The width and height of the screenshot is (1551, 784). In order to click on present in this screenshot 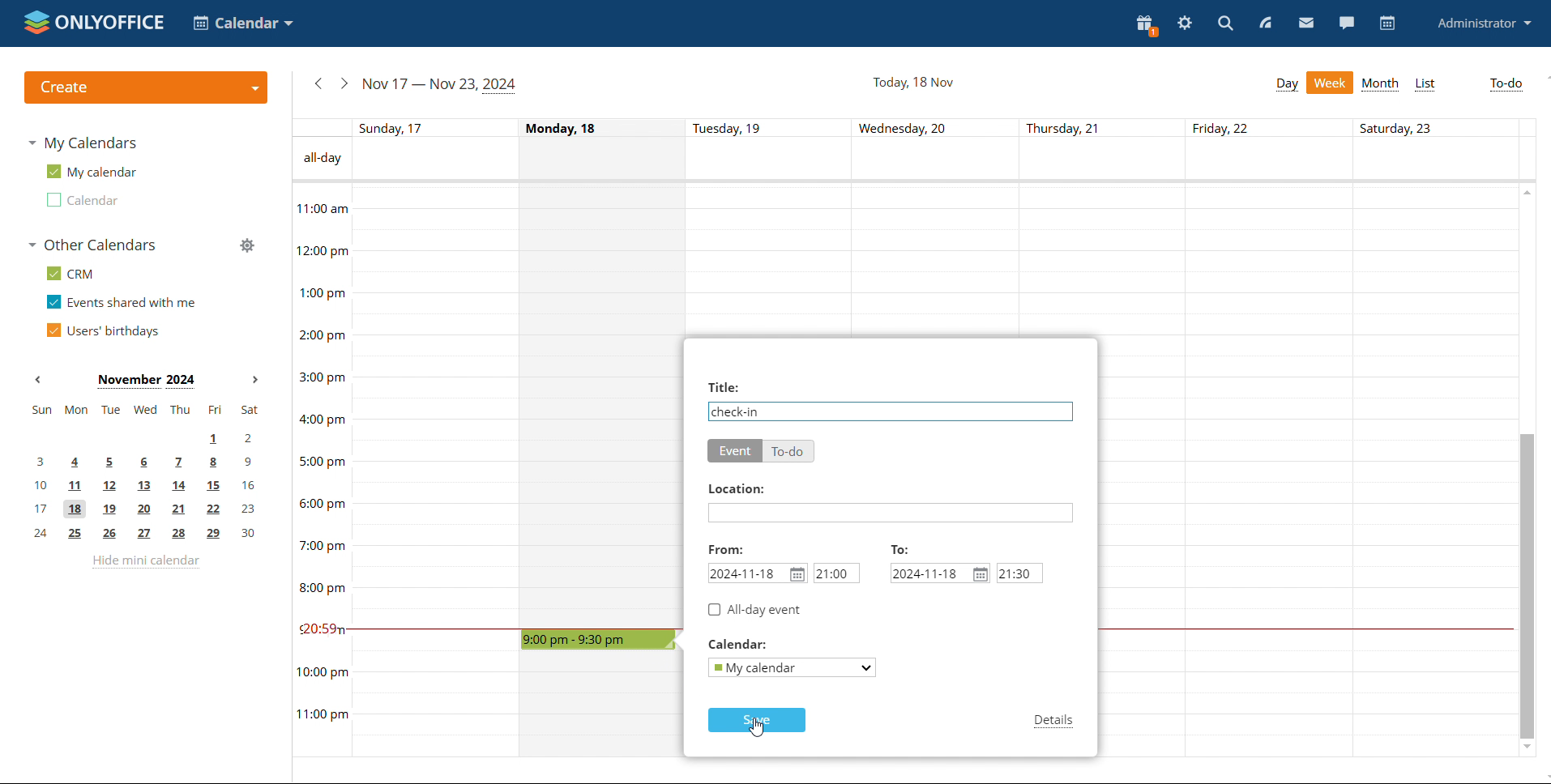, I will do `click(1146, 25)`.